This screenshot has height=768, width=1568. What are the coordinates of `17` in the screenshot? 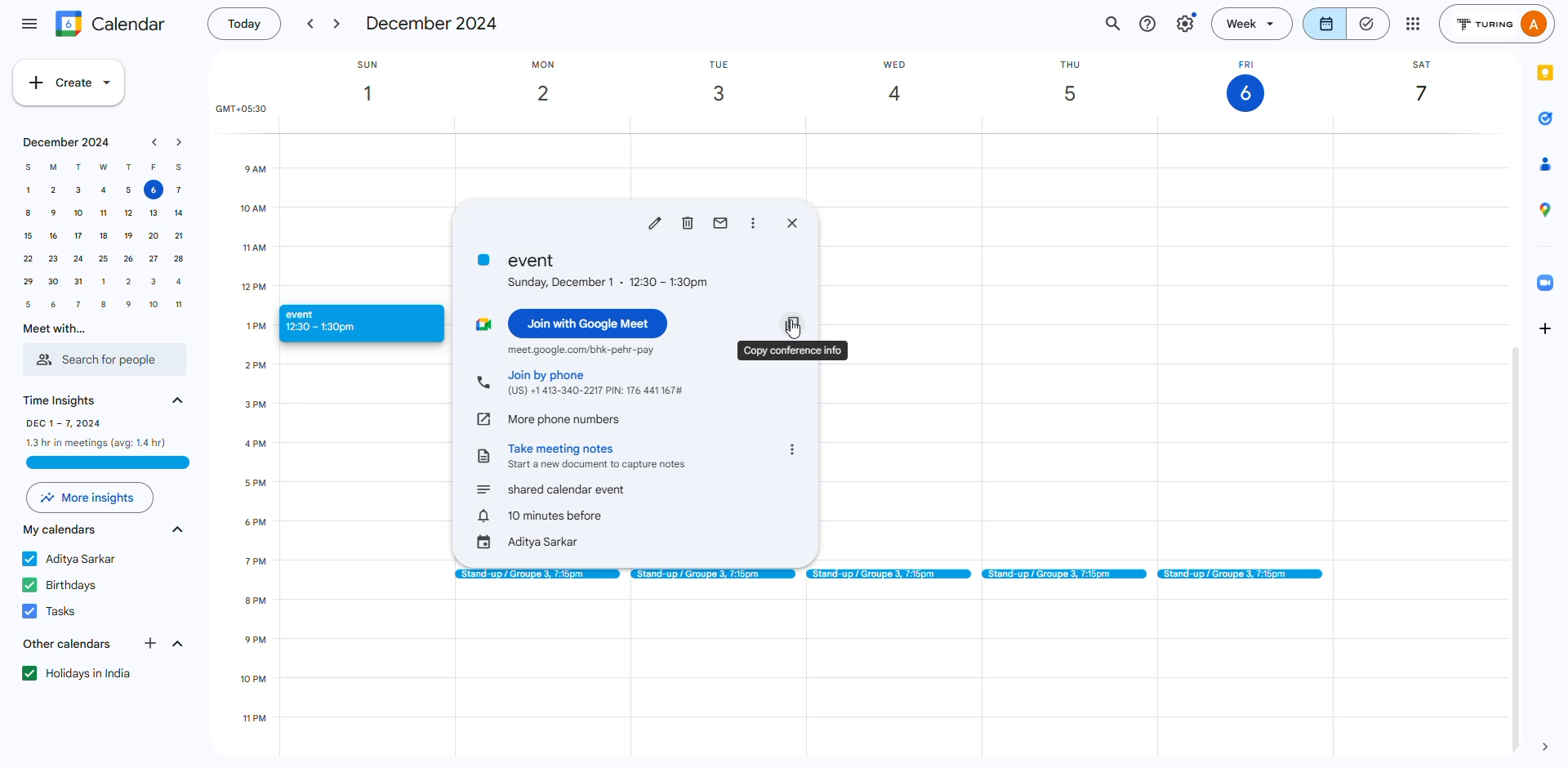 It's located at (77, 237).